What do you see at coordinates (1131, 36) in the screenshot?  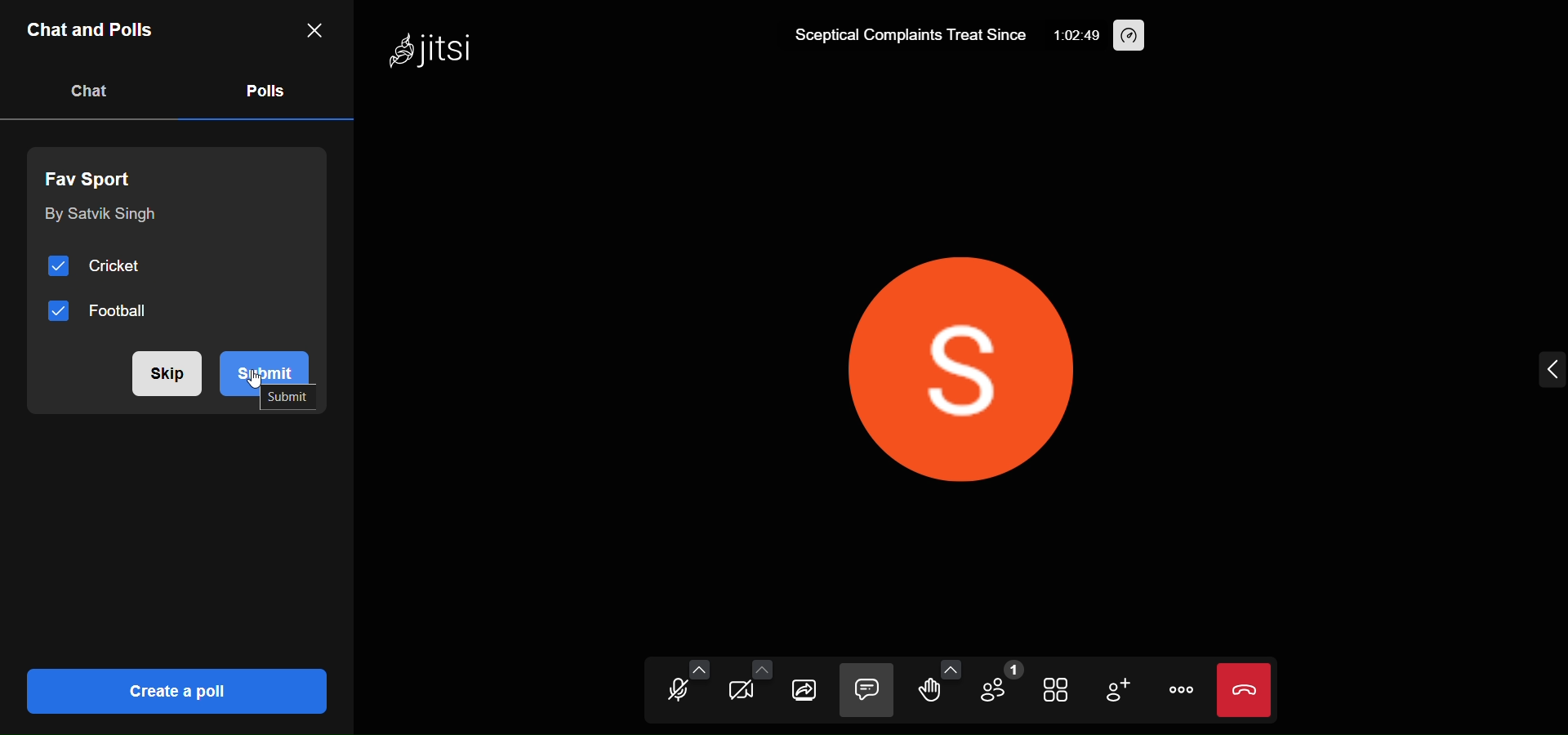 I see `performance setting` at bounding box center [1131, 36].